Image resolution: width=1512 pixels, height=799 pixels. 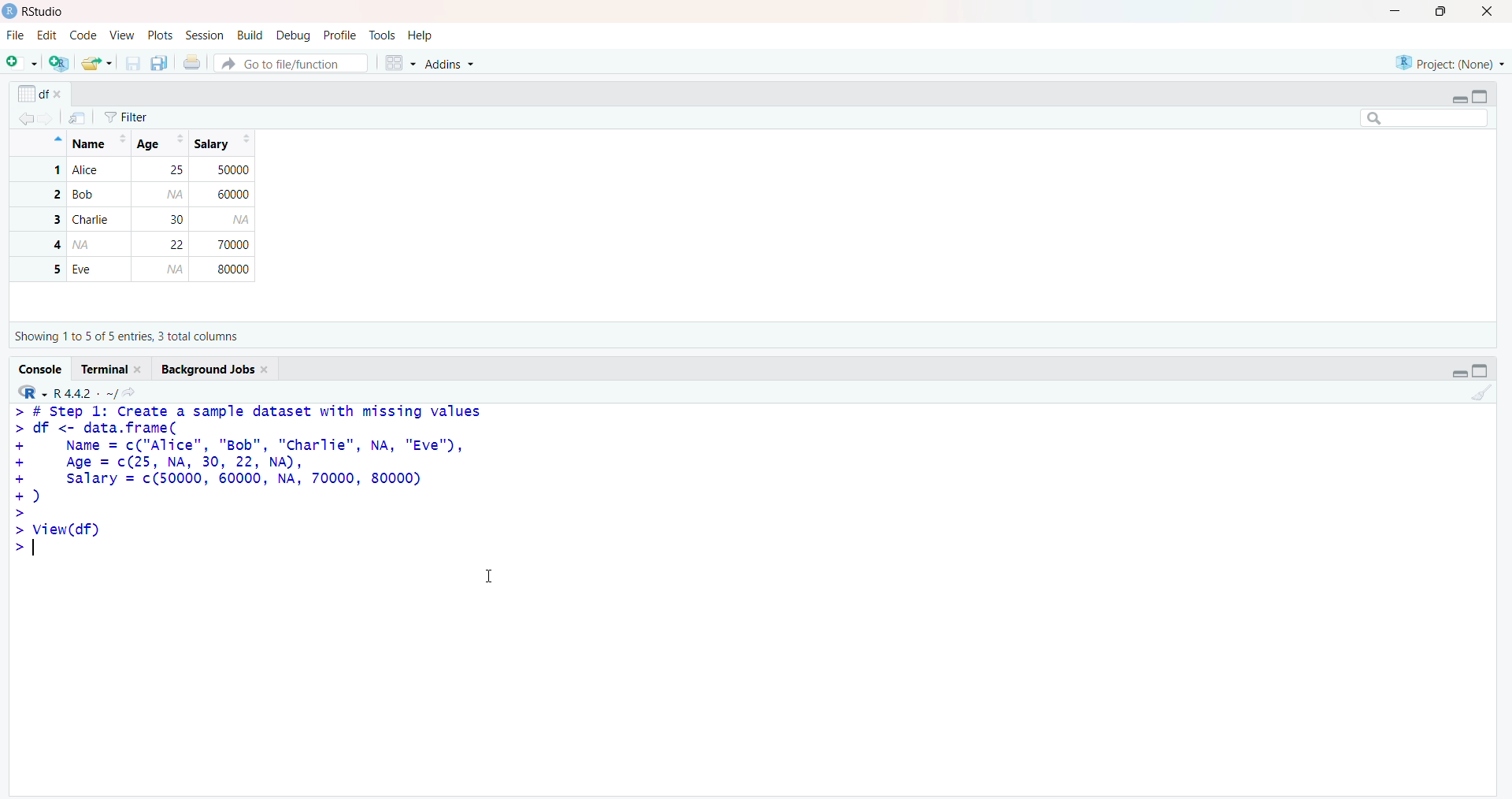 What do you see at coordinates (255, 496) in the screenshot?
I see `> # Step Ll: (Create a sample dataset with missing values
> df <- data.frame(
+ Name = c("Alice", "Bob", "Charlie", NA, "Eve"),
+ Age = c(25, NA, 30, 22, NA),
+ salary = c(50000, 60000, NA, 70000, 80000)
+)
>
> View(df)
>
I` at bounding box center [255, 496].